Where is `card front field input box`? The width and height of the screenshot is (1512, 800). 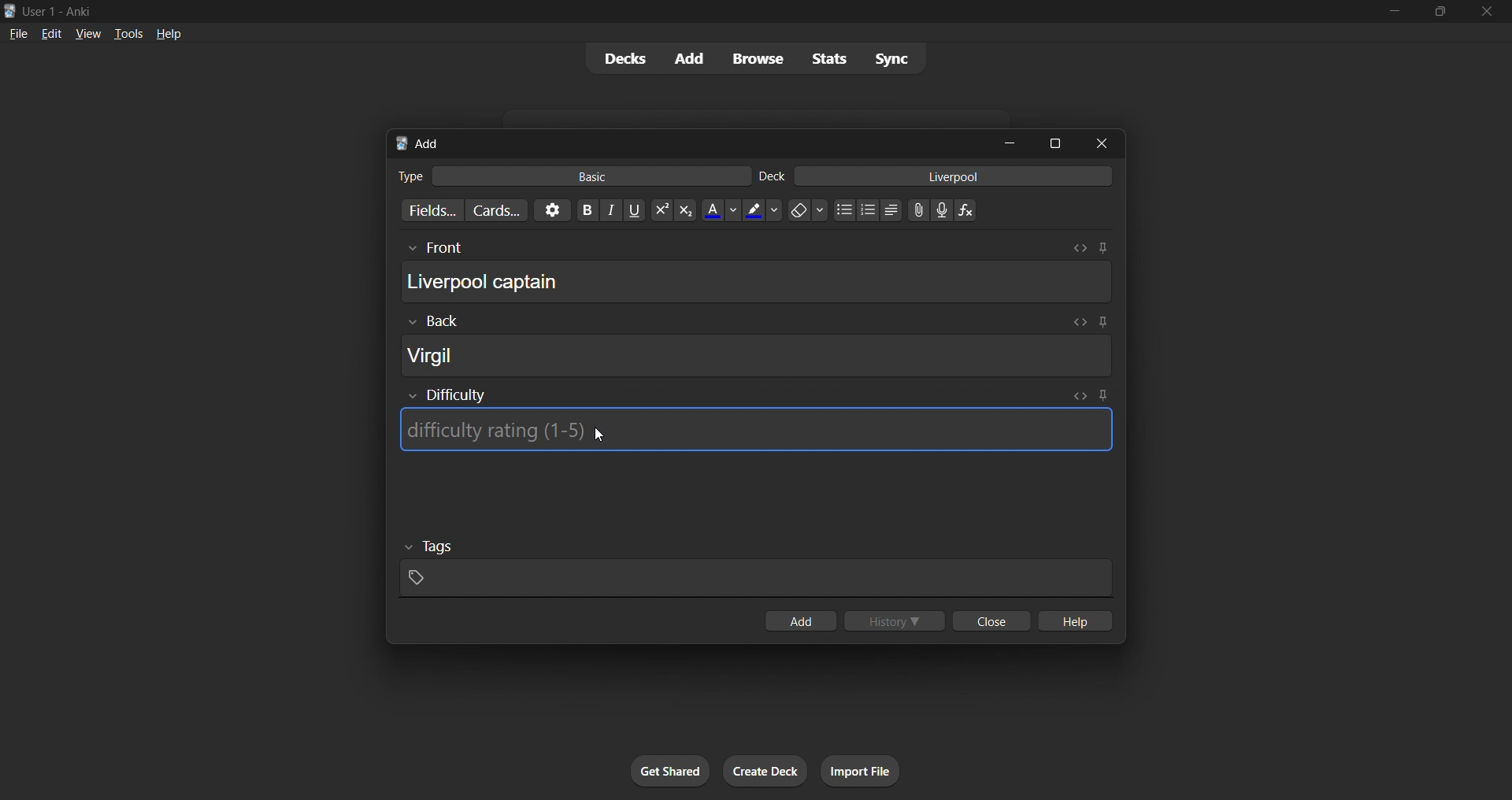
card front field input box is located at coordinates (756, 281).